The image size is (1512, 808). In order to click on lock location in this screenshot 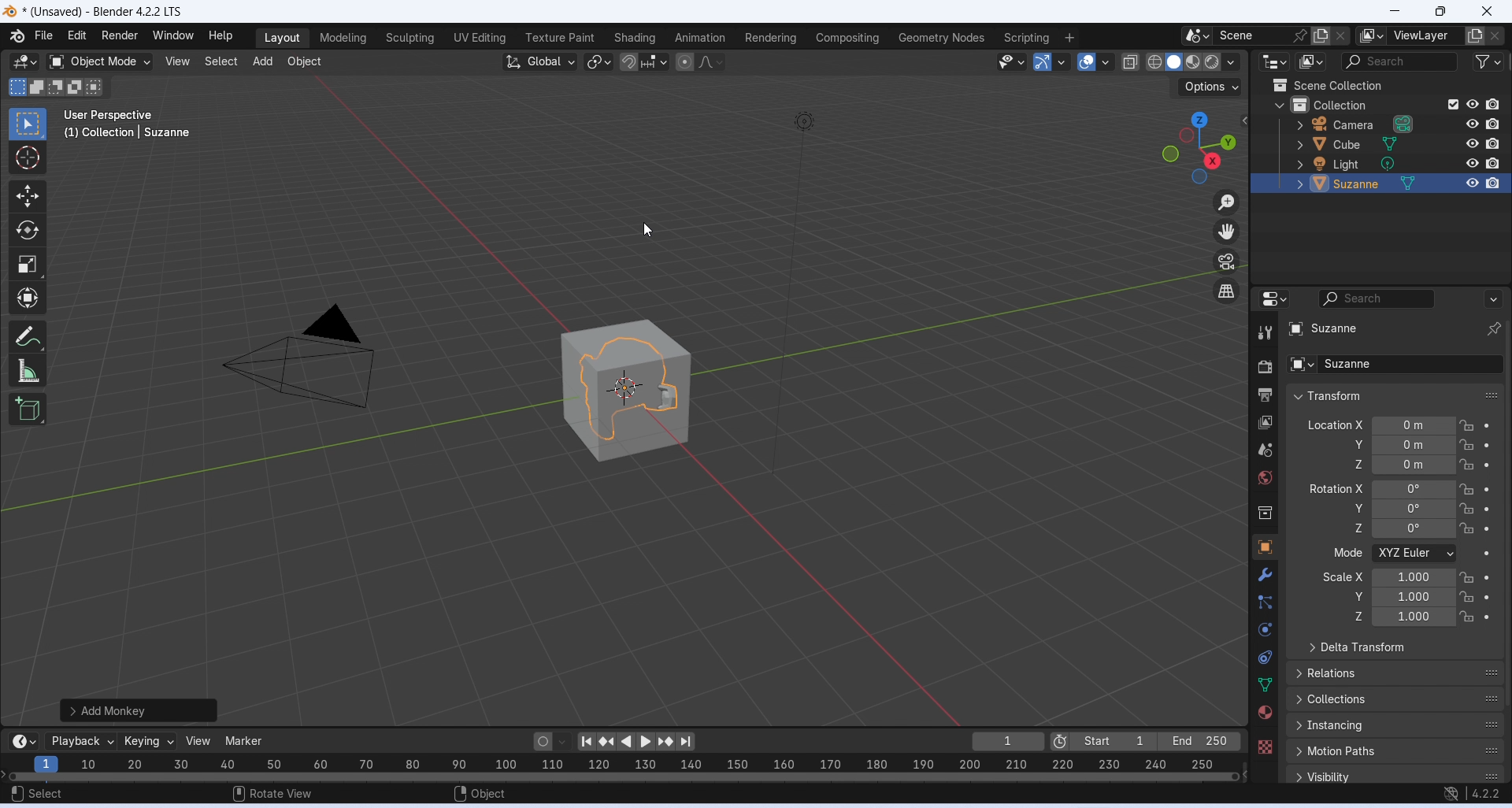, I will do `click(1468, 426)`.